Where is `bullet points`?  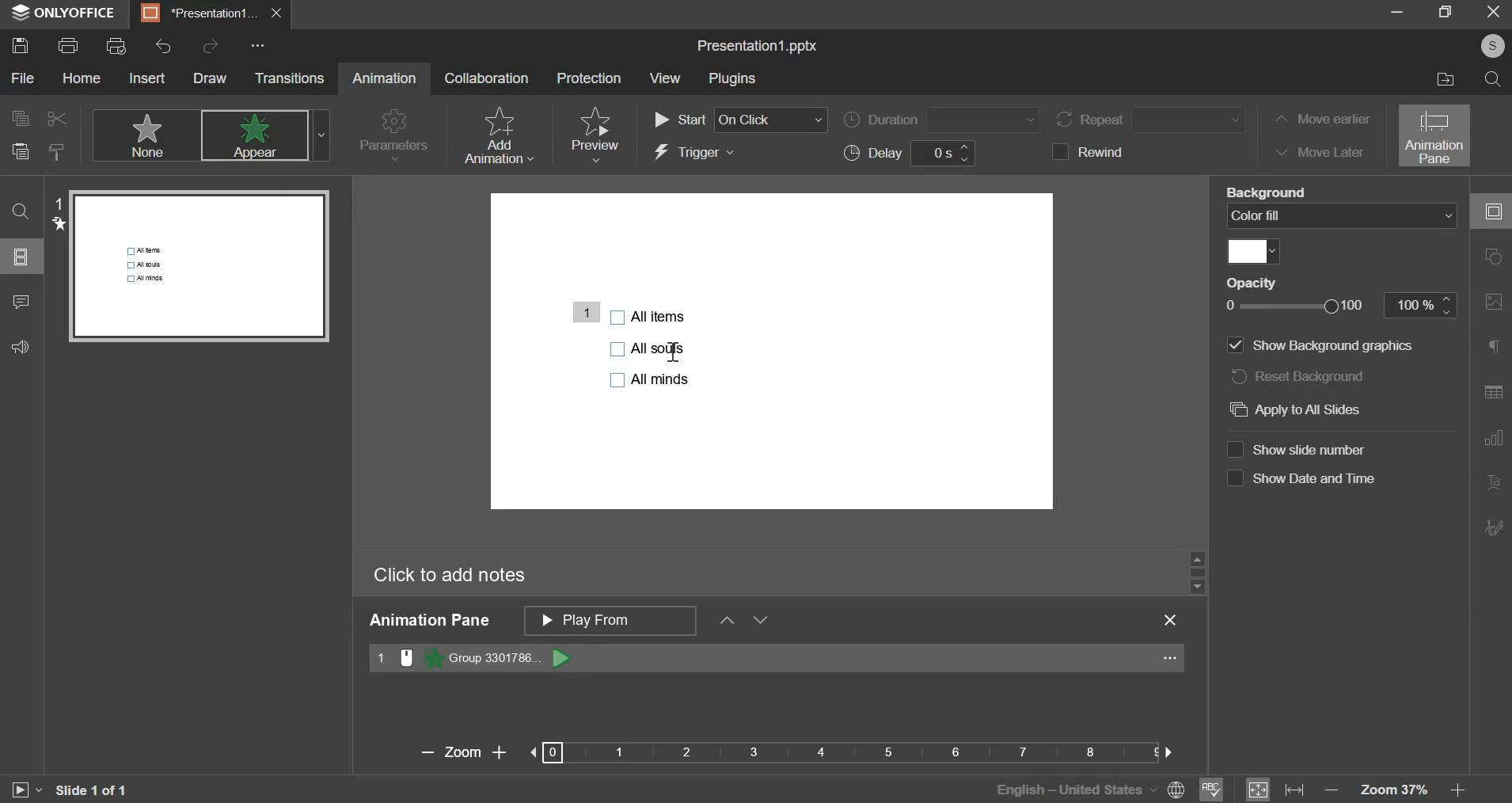 bullet points is located at coordinates (648, 349).